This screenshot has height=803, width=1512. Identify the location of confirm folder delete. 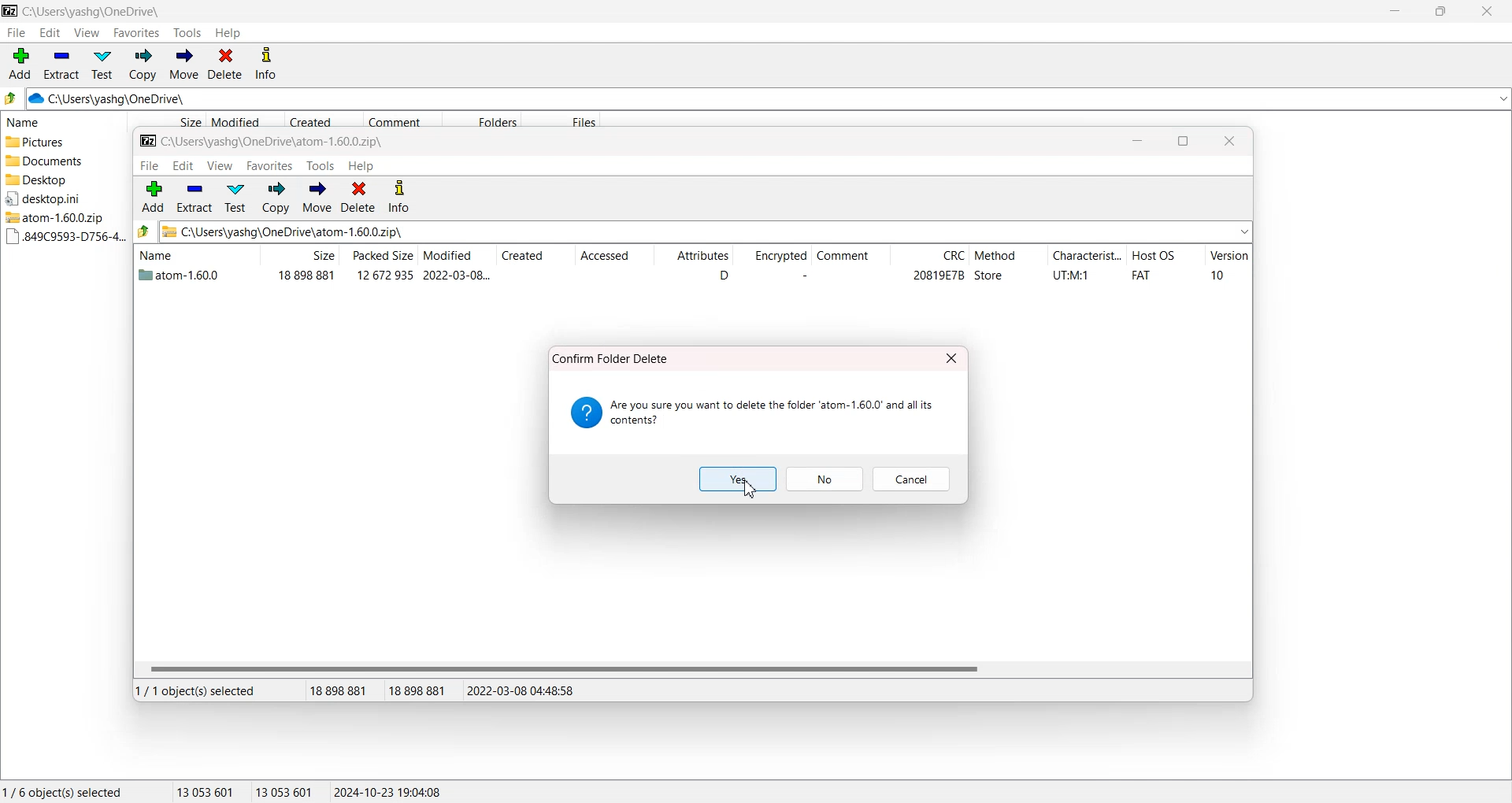
(613, 357).